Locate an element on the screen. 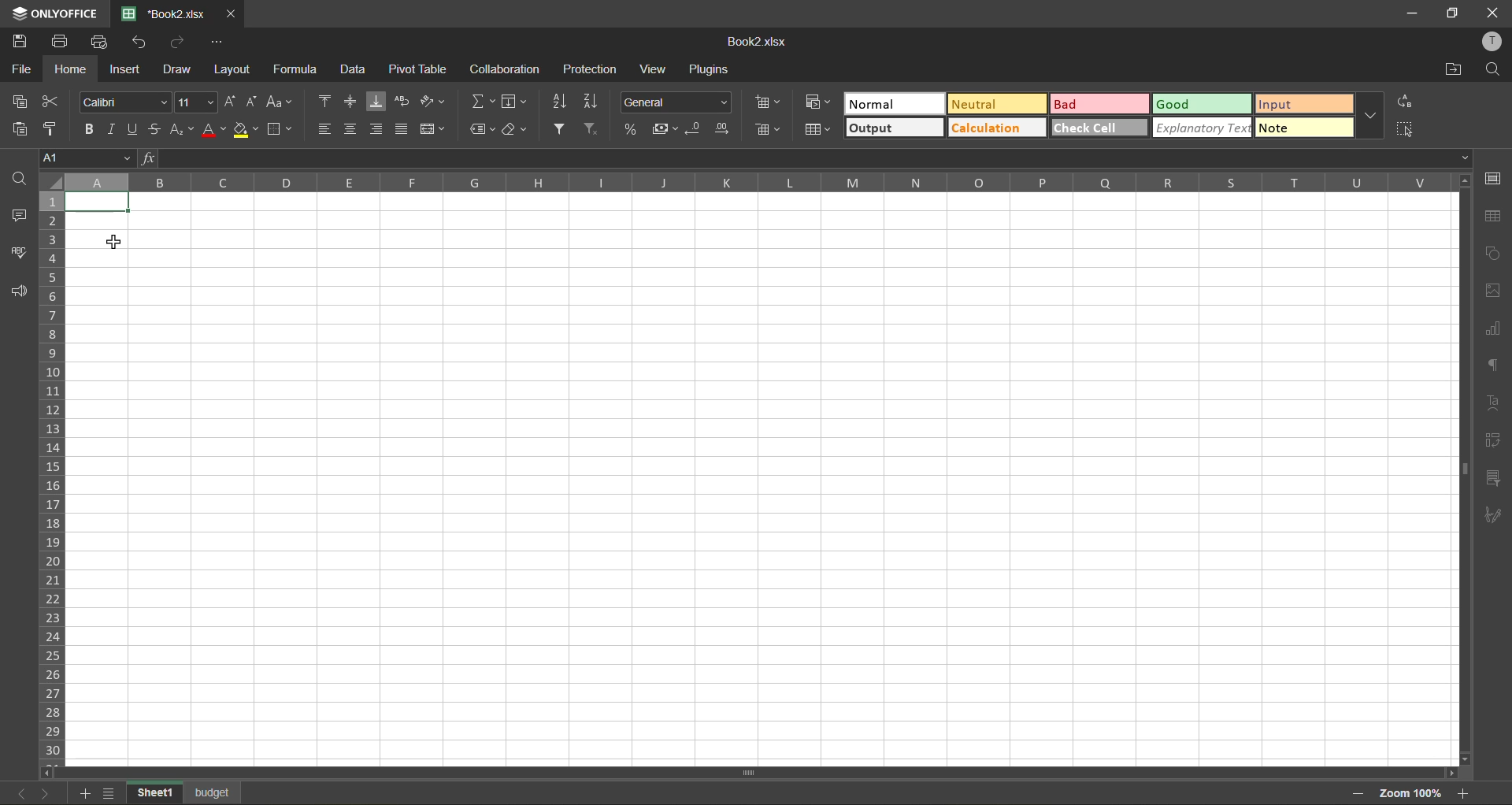 This screenshot has width=1512, height=805. align bottom is located at coordinates (376, 101).